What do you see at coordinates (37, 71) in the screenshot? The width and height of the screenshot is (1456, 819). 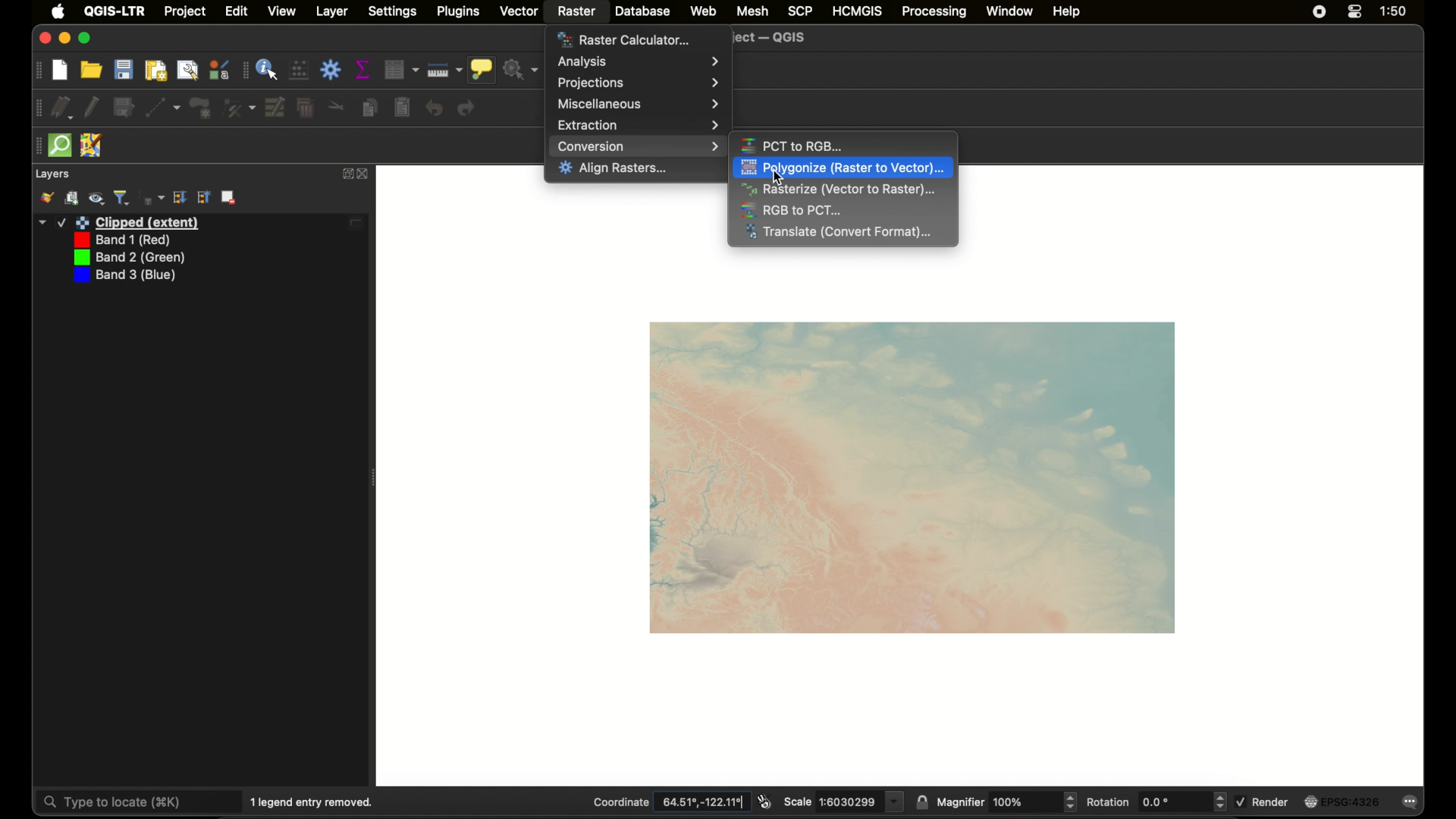 I see `drag handle` at bounding box center [37, 71].